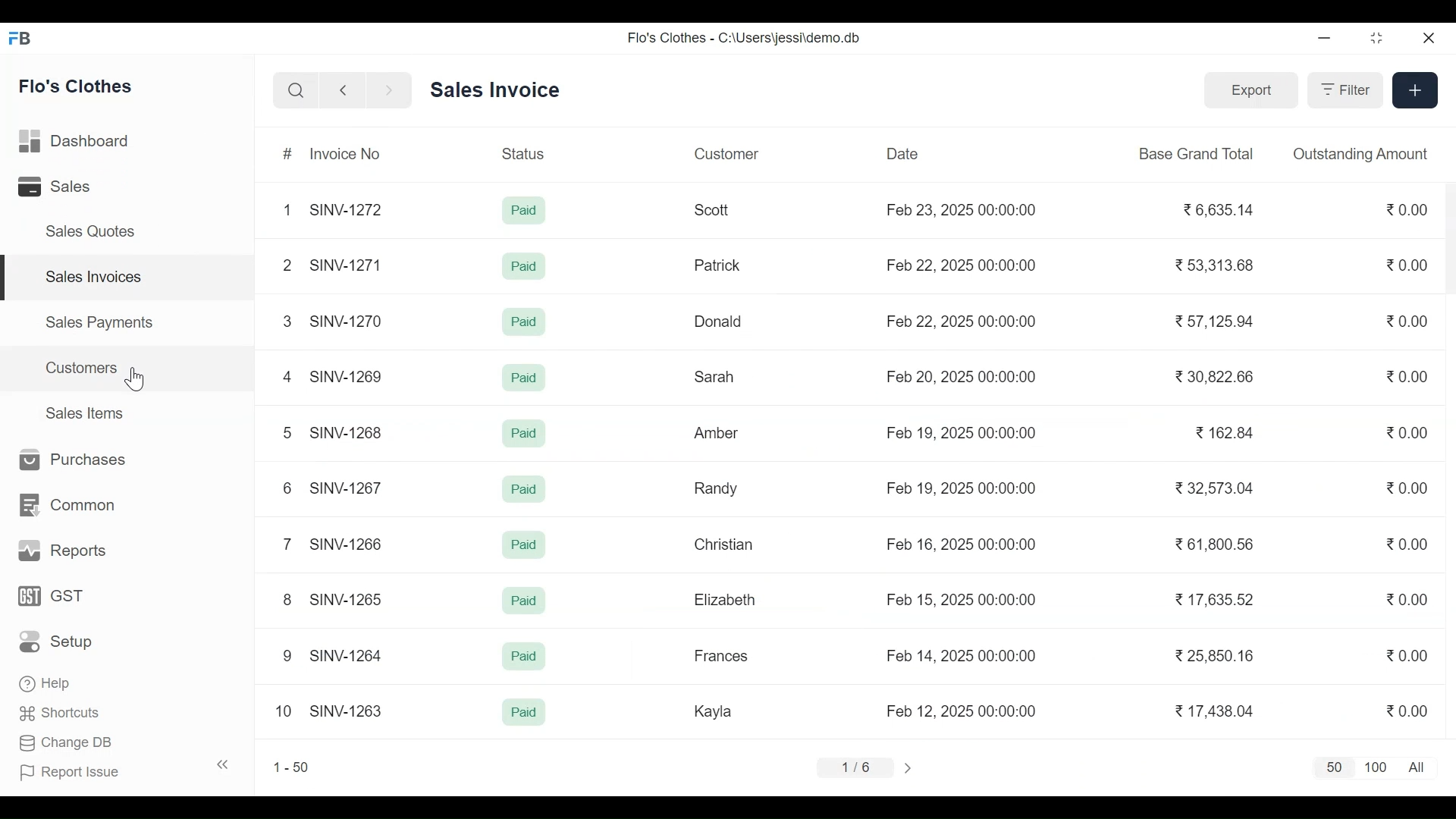 The height and width of the screenshot is (819, 1456). I want to click on Date, so click(908, 152).